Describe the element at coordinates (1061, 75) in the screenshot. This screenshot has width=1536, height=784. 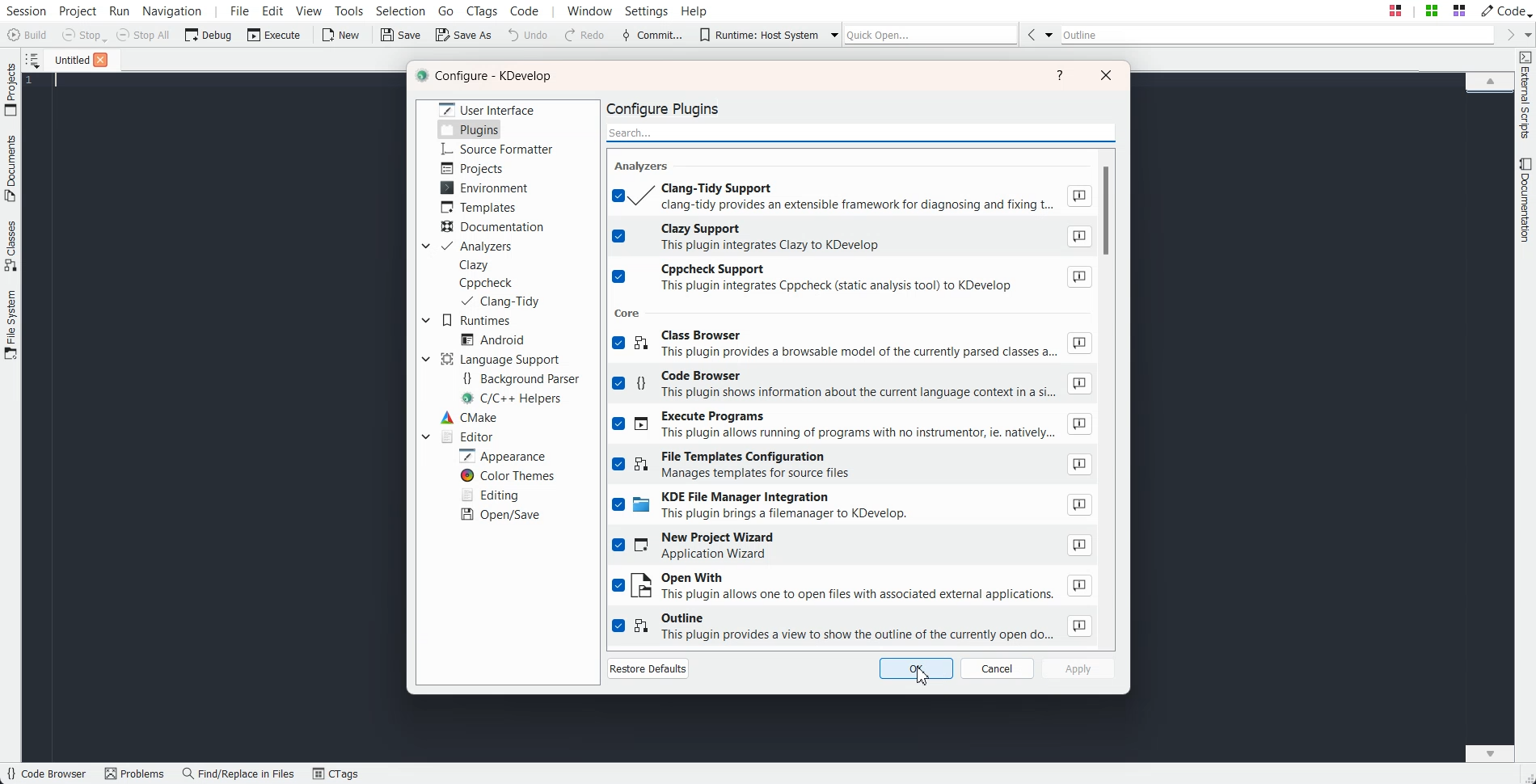
I see `Help` at that location.